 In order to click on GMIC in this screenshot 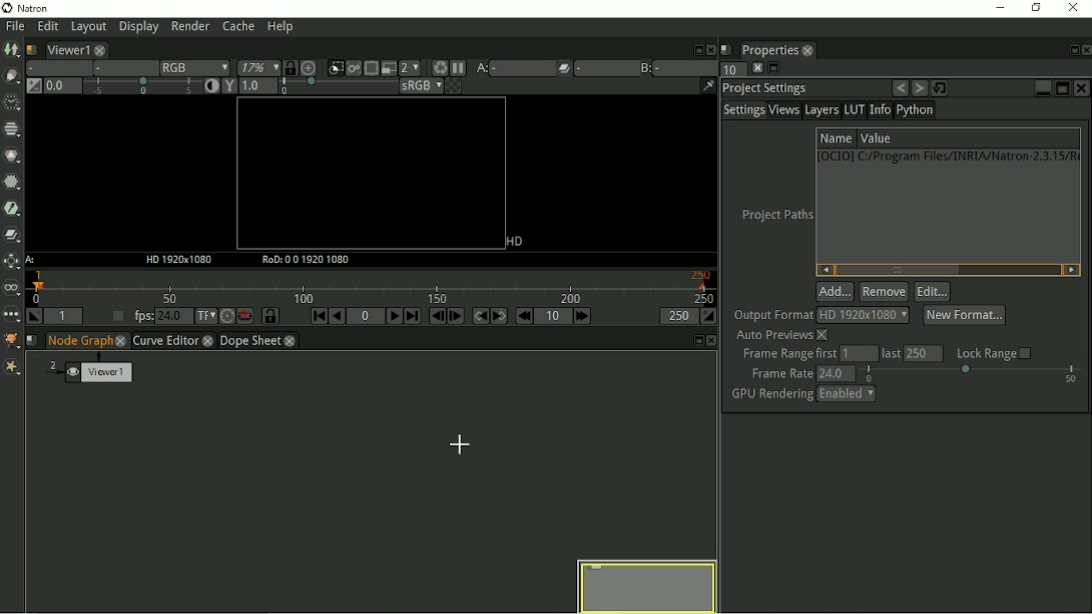, I will do `click(11, 341)`.